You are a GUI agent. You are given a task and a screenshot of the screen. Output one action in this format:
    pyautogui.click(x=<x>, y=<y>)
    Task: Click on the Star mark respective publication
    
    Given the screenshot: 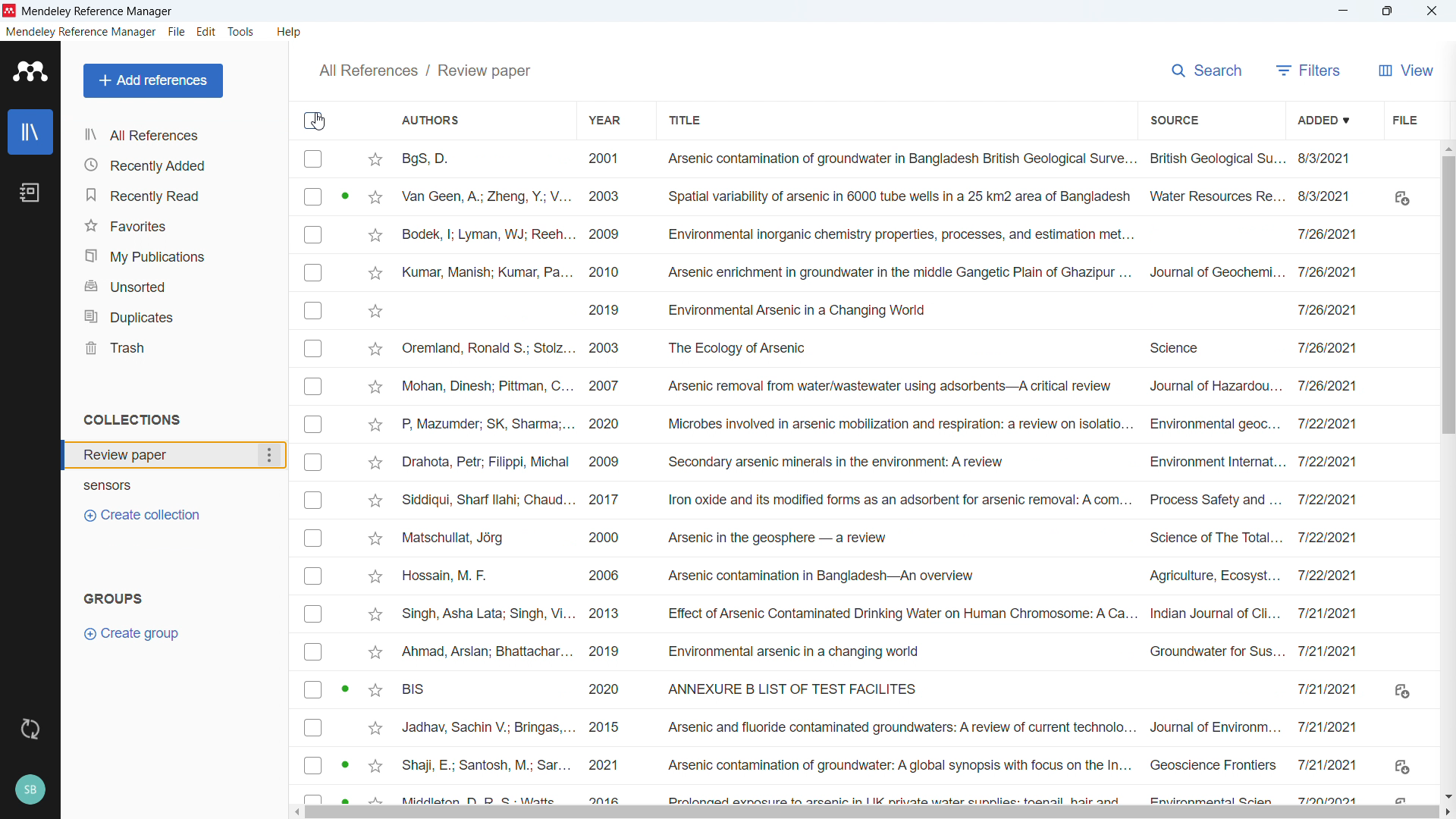 What is the action you would take?
    pyautogui.click(x=376, y=312)
    